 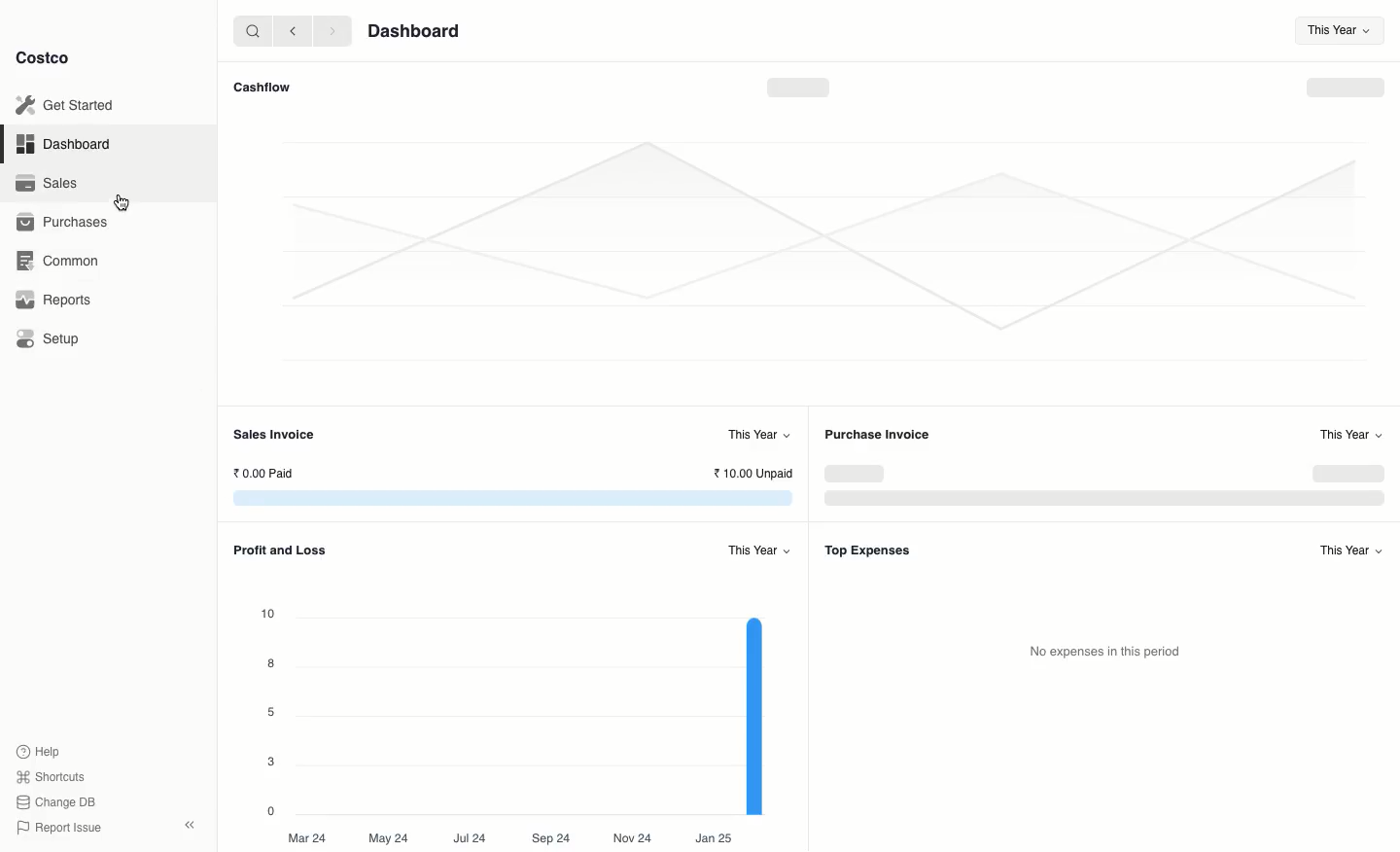 I want to click on This Year, so click(x=1351, y=550).